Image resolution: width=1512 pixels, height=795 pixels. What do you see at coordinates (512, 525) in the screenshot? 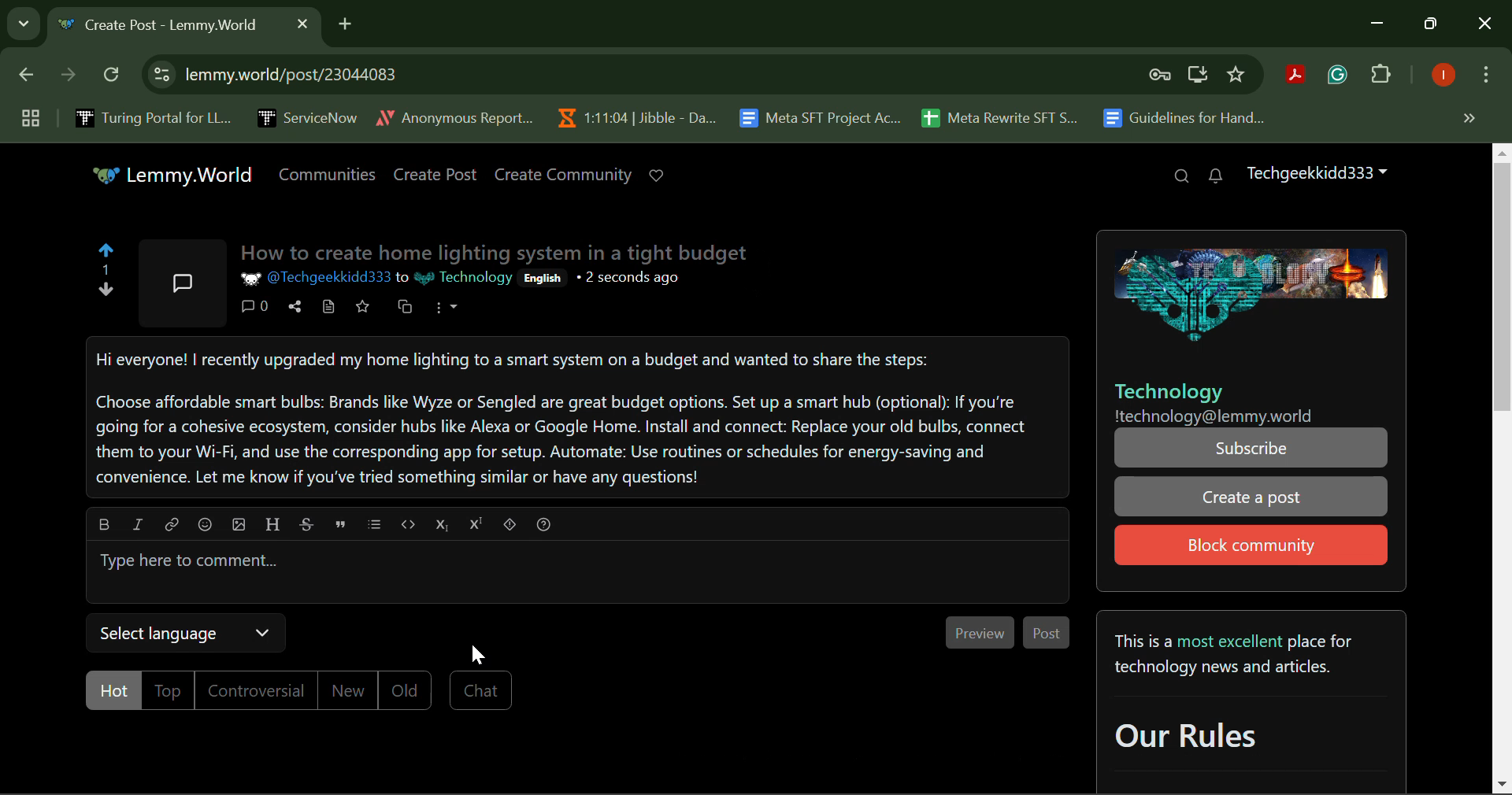
I see `spoiler` at bounding box center [512, 525].